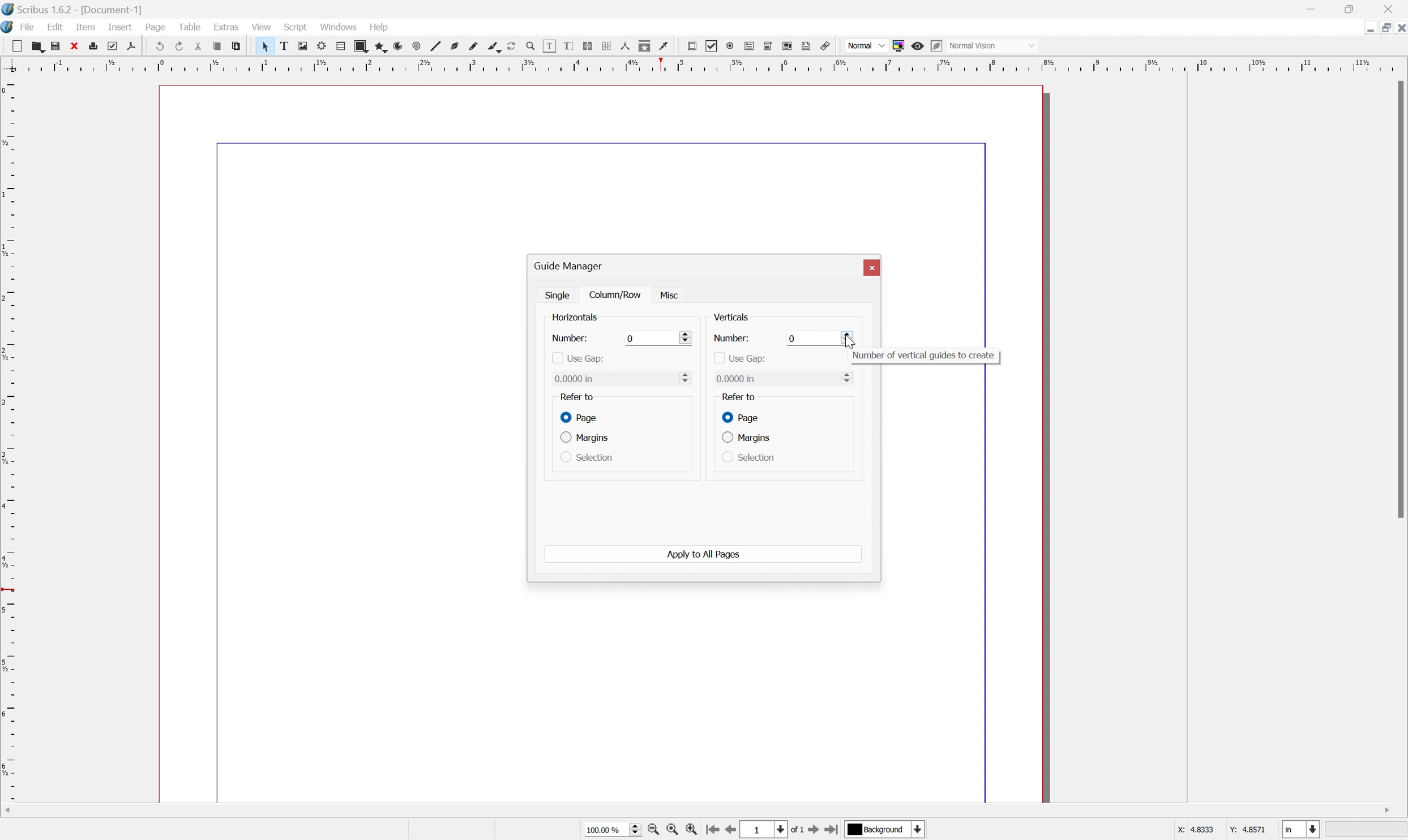 This screenshot has width=1408, height=840. Describe the element at coordinates (898, 46) in the screenshot. I see `toggle color management system` at that location.